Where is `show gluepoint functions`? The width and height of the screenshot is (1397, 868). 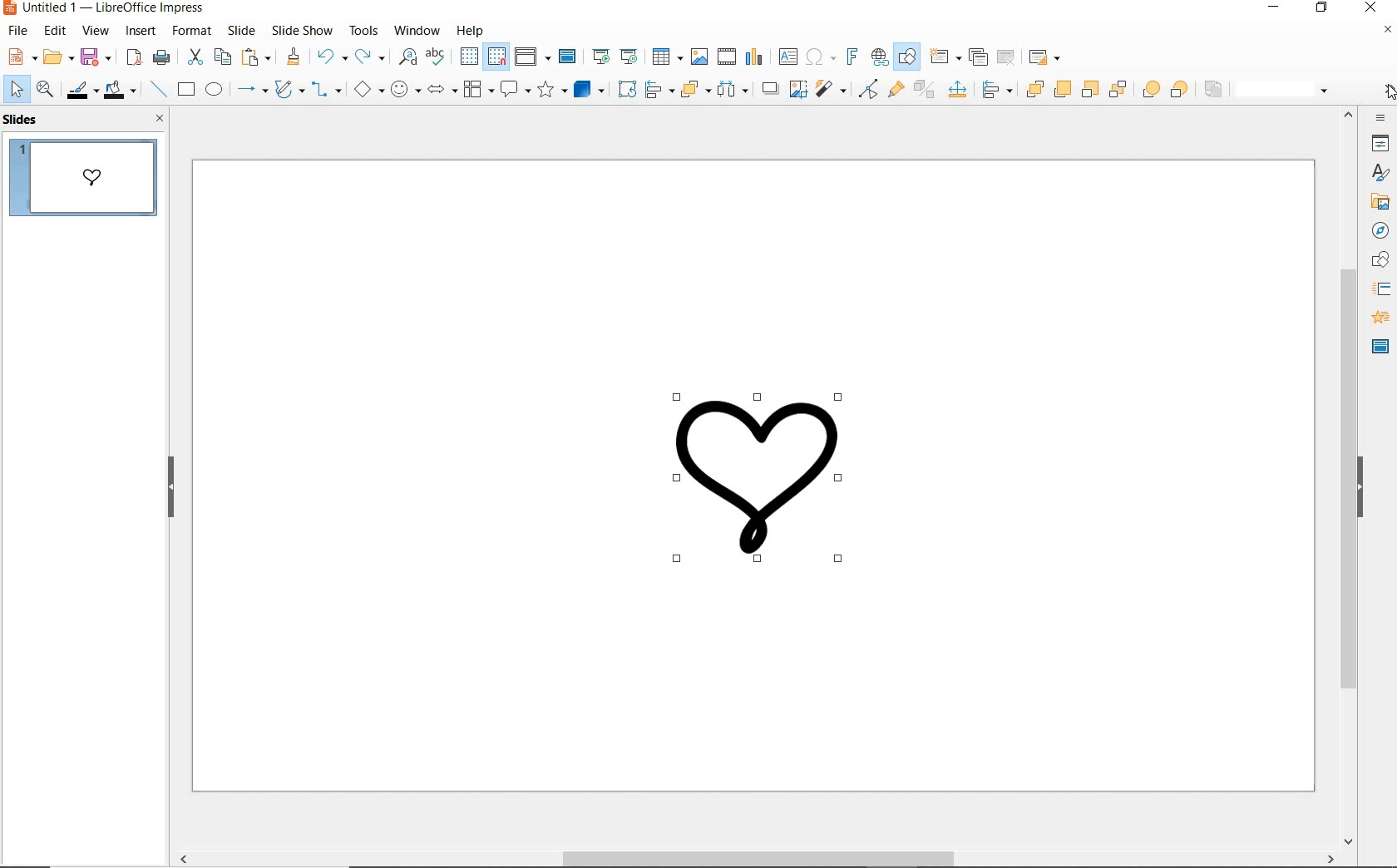 show gluepoint functions is located at coordinates (895, 89).